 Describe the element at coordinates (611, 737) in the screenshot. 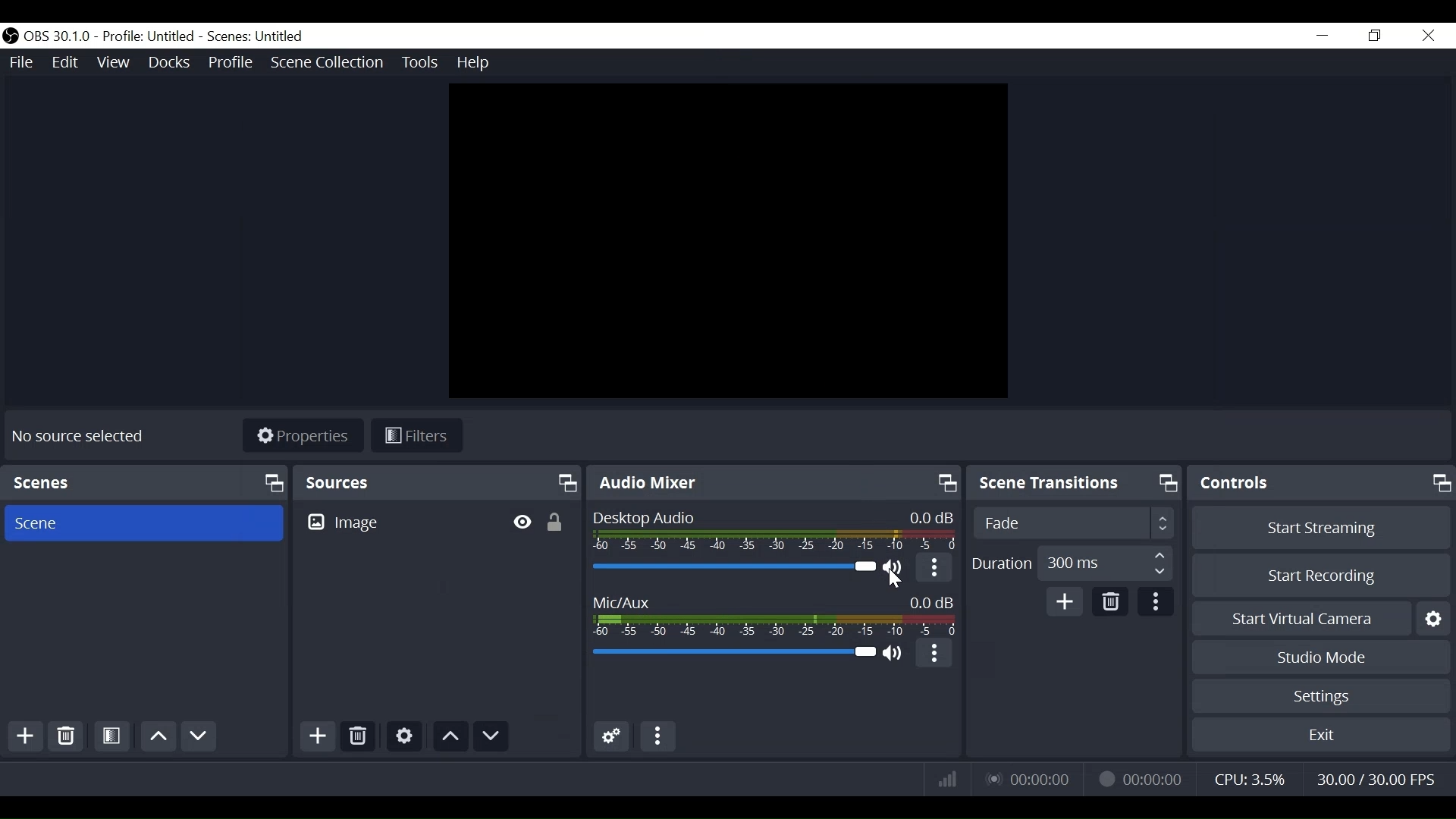

I see `Advanced Audio Settings` at that location.